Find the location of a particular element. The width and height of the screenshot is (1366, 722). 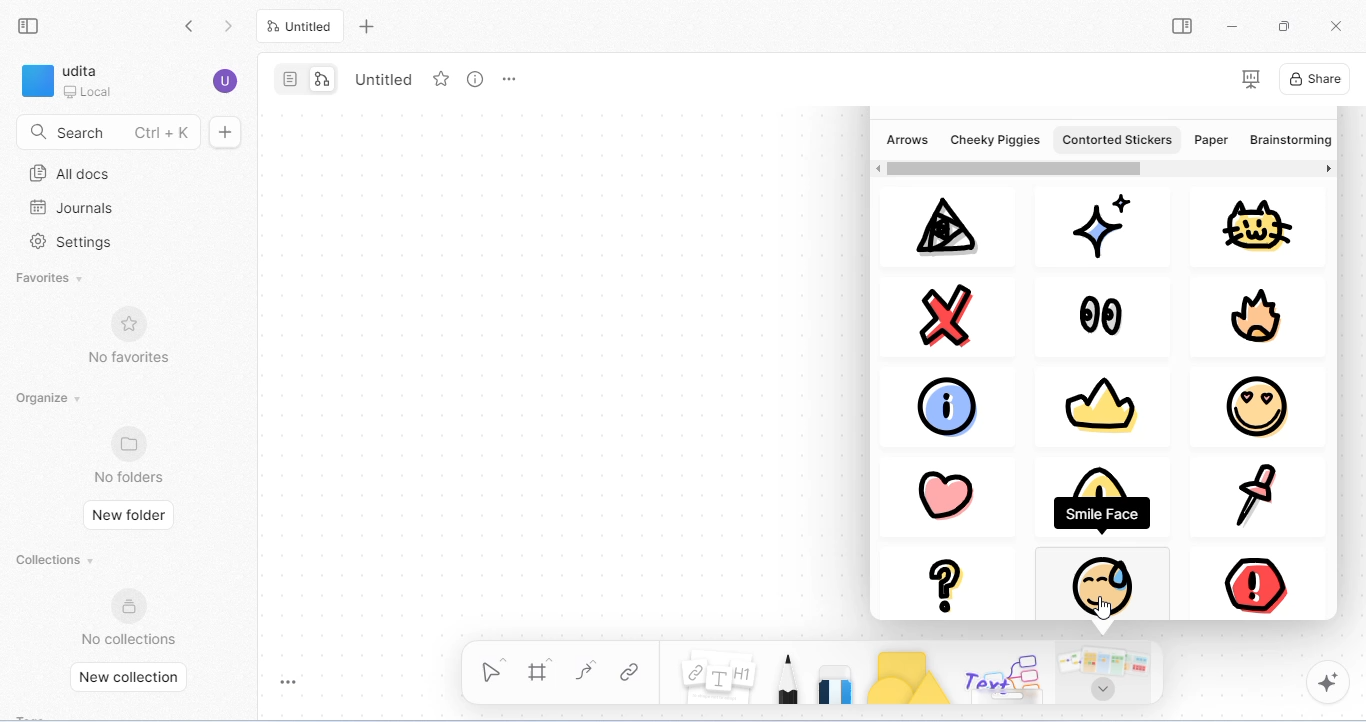

info is located at coordinates (955, 404).